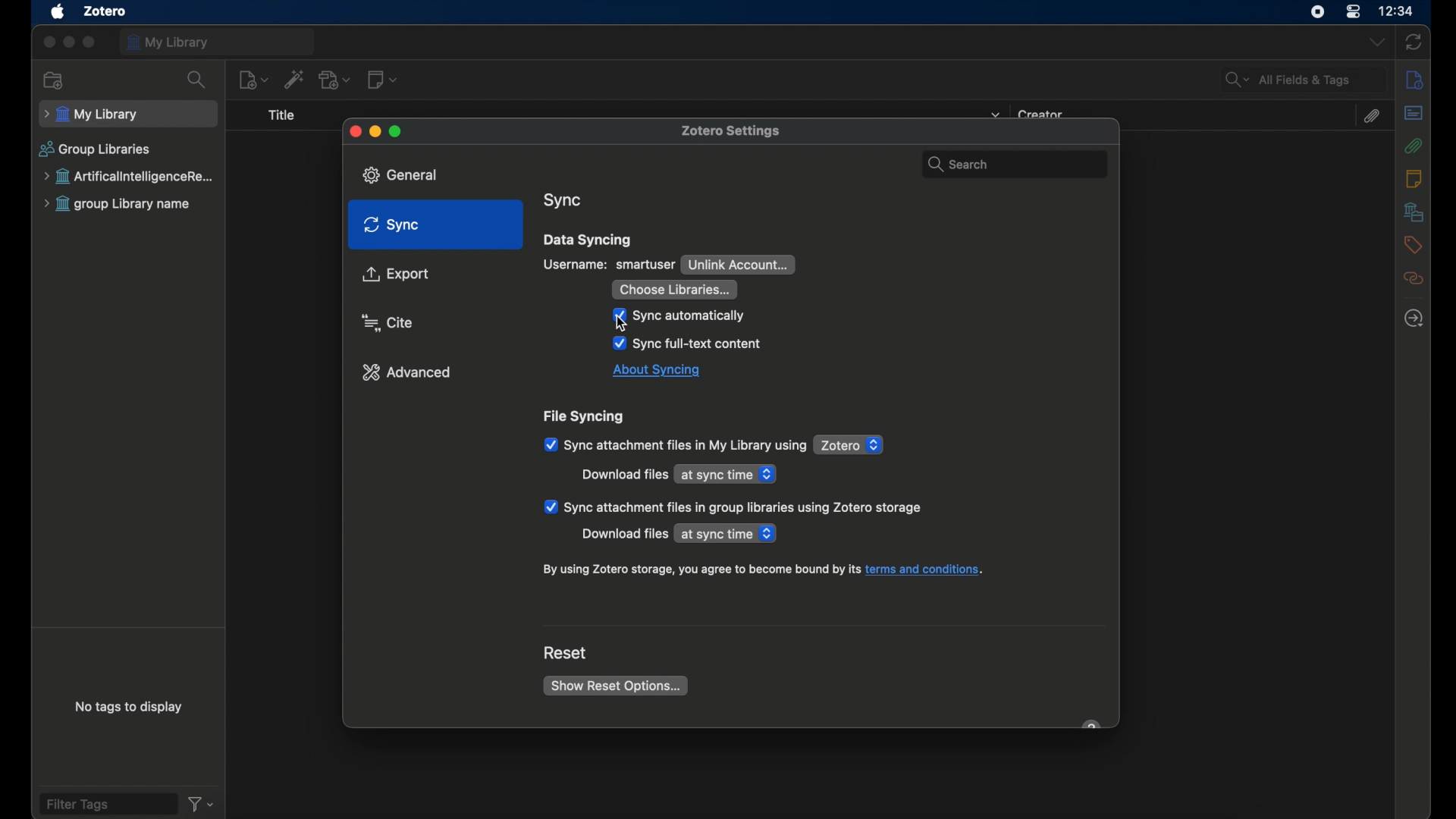 The width and height of the screenshot is (1456, 819). What do you see at coordinates (674, 289) in the screenshot?
I see `choose libraries` at bounding box center [674, 289].